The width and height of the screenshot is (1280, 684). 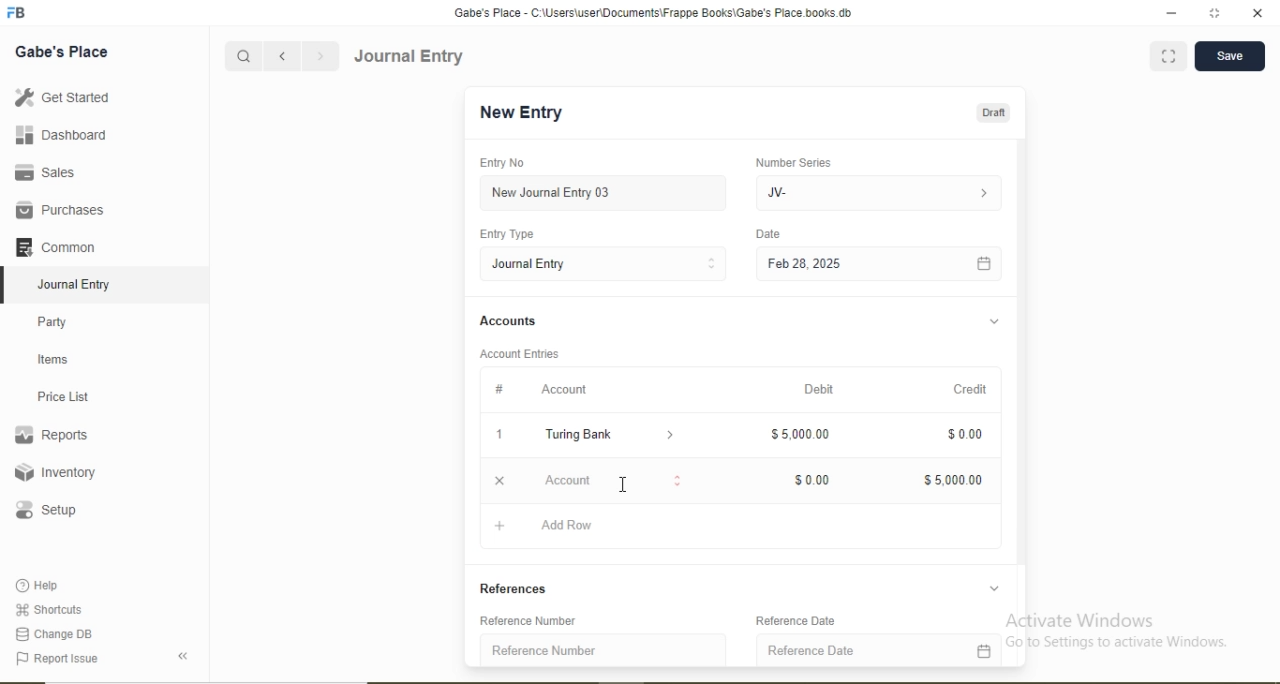 I want to click on Logo, so click(x=17, y=13).